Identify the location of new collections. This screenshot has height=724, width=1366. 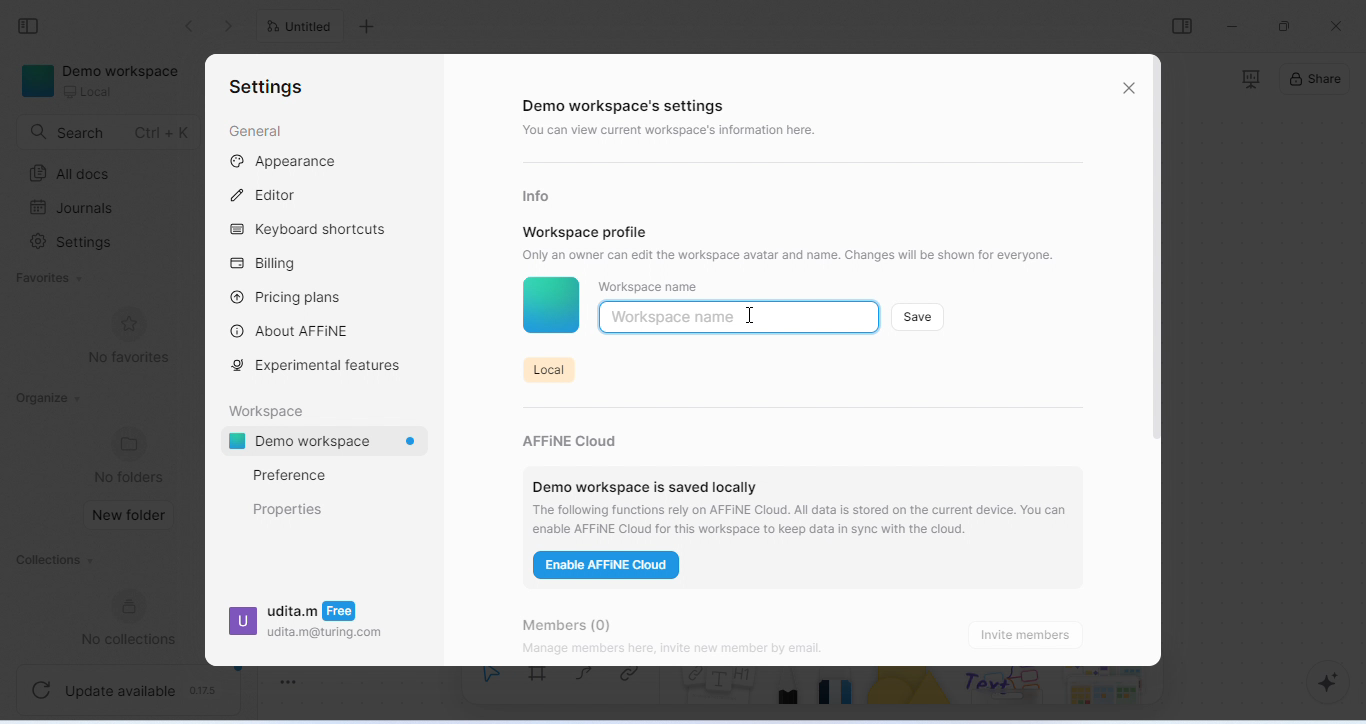
(137, 618).